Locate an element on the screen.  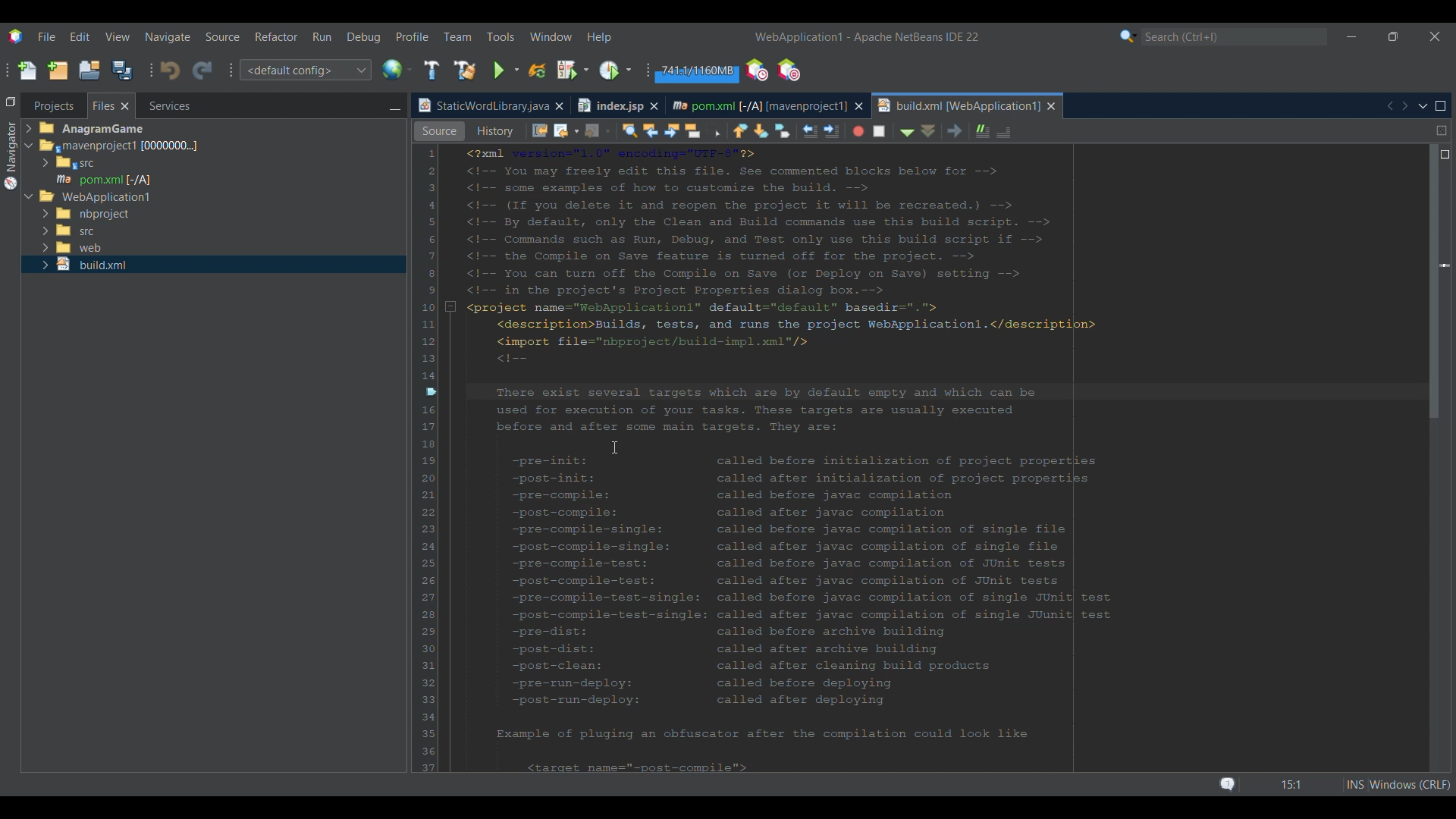
Next is located at coordinates (1404, 105).